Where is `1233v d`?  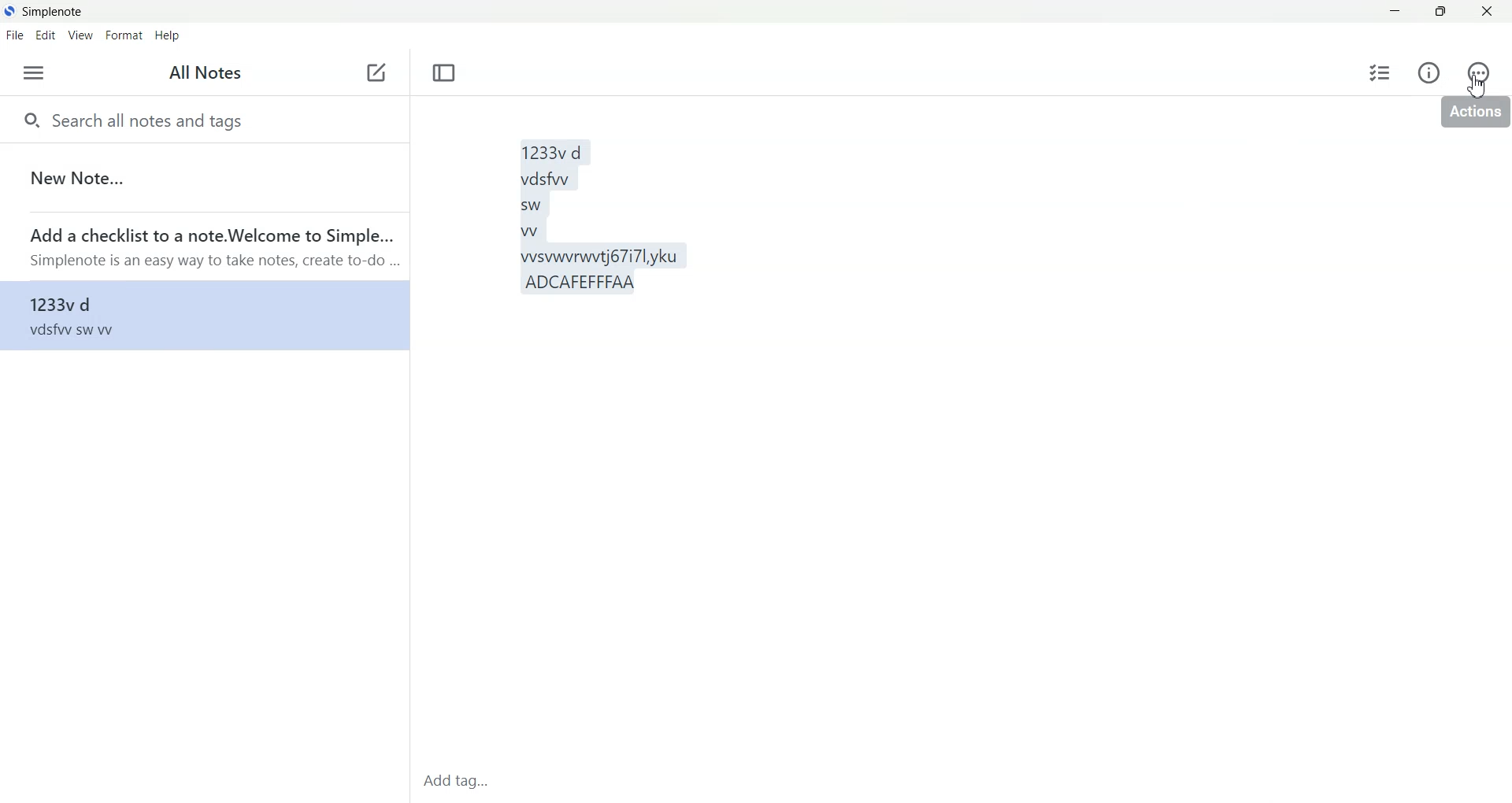
1233v d is located at coordinates (202, 315).